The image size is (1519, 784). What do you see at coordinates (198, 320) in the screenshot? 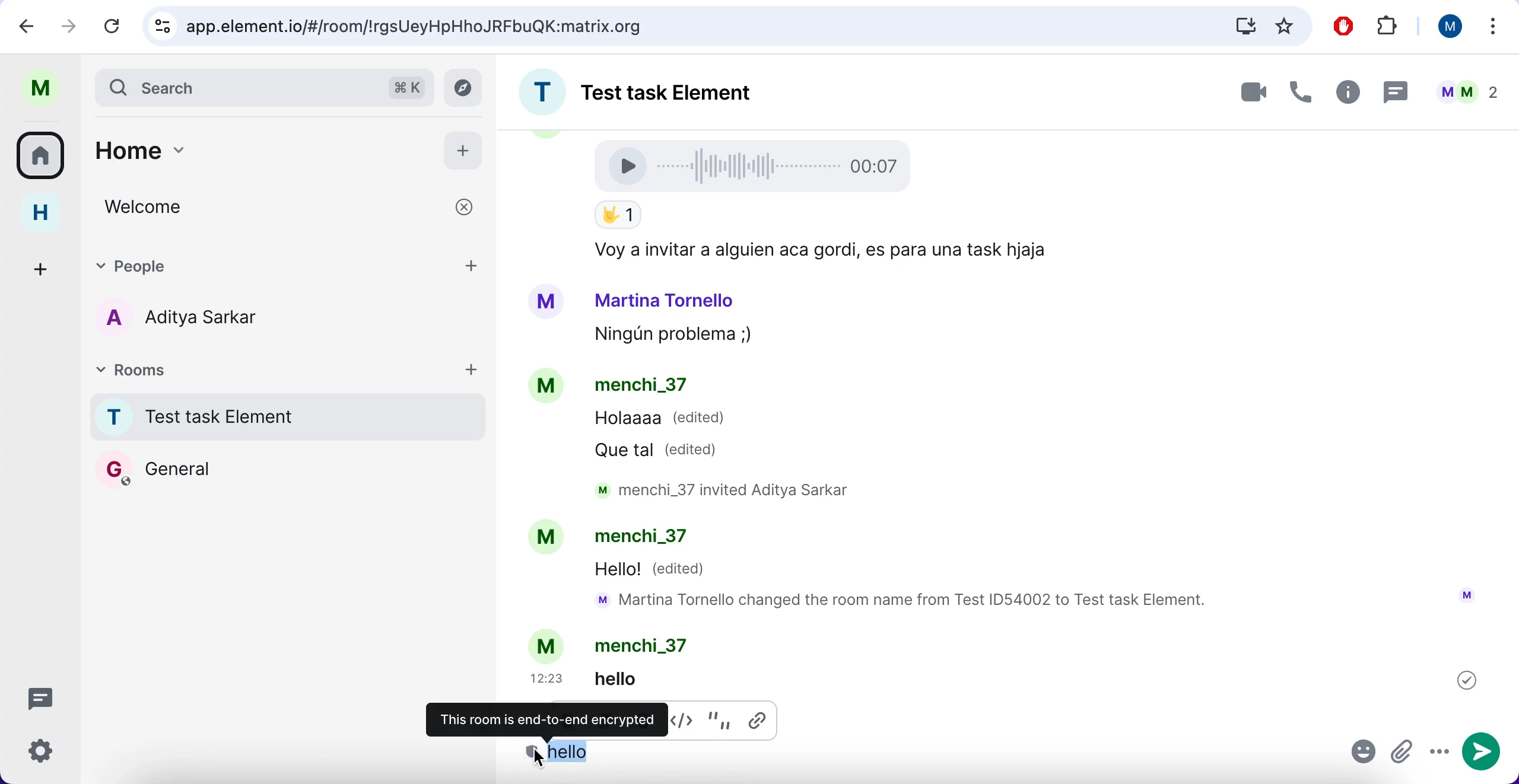
I see `users ` at bounding box center [198, 320].